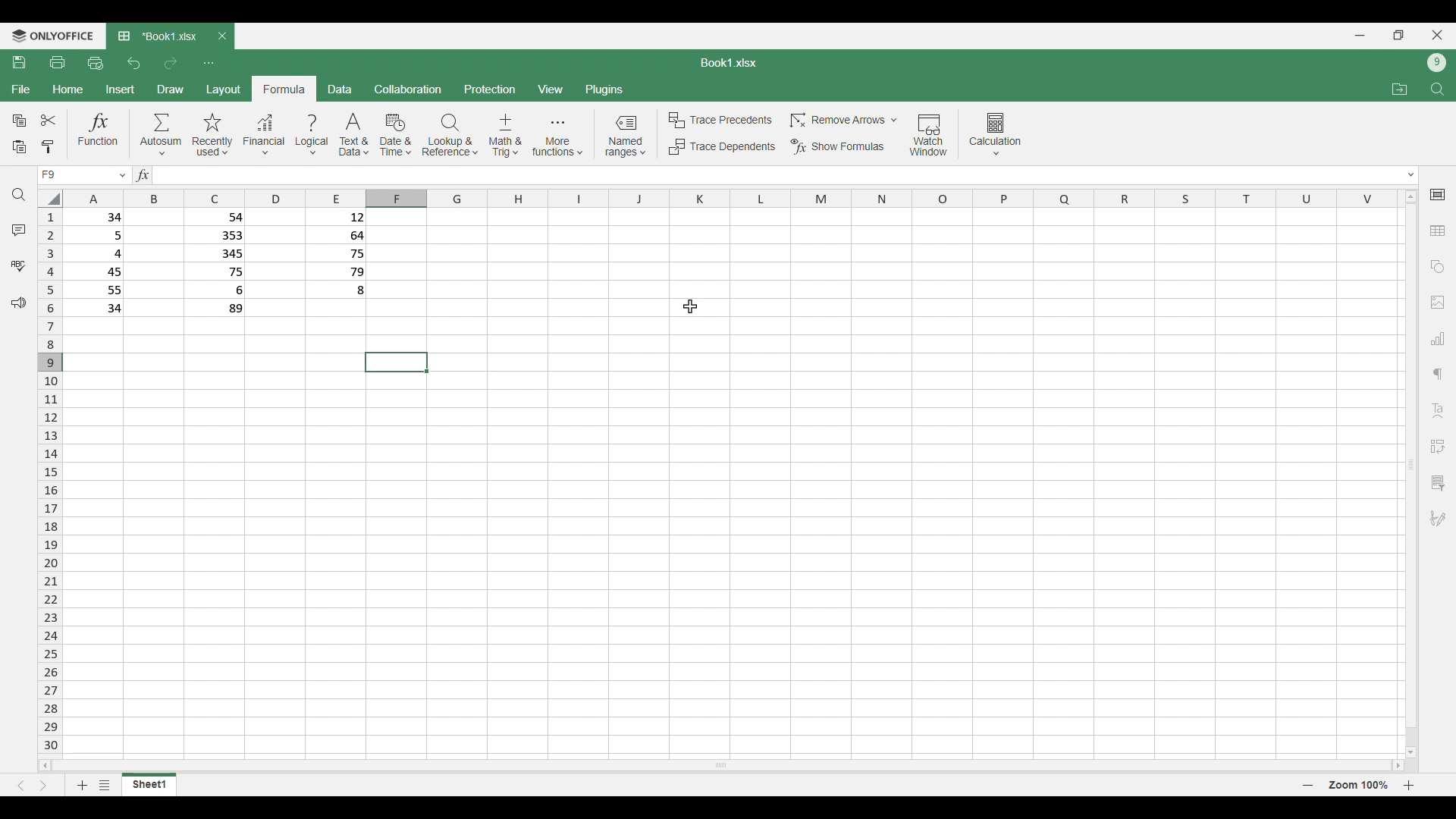  Describe the element at coordinates (337, 256) in the screenshot. I see `Filled cells` at that location.